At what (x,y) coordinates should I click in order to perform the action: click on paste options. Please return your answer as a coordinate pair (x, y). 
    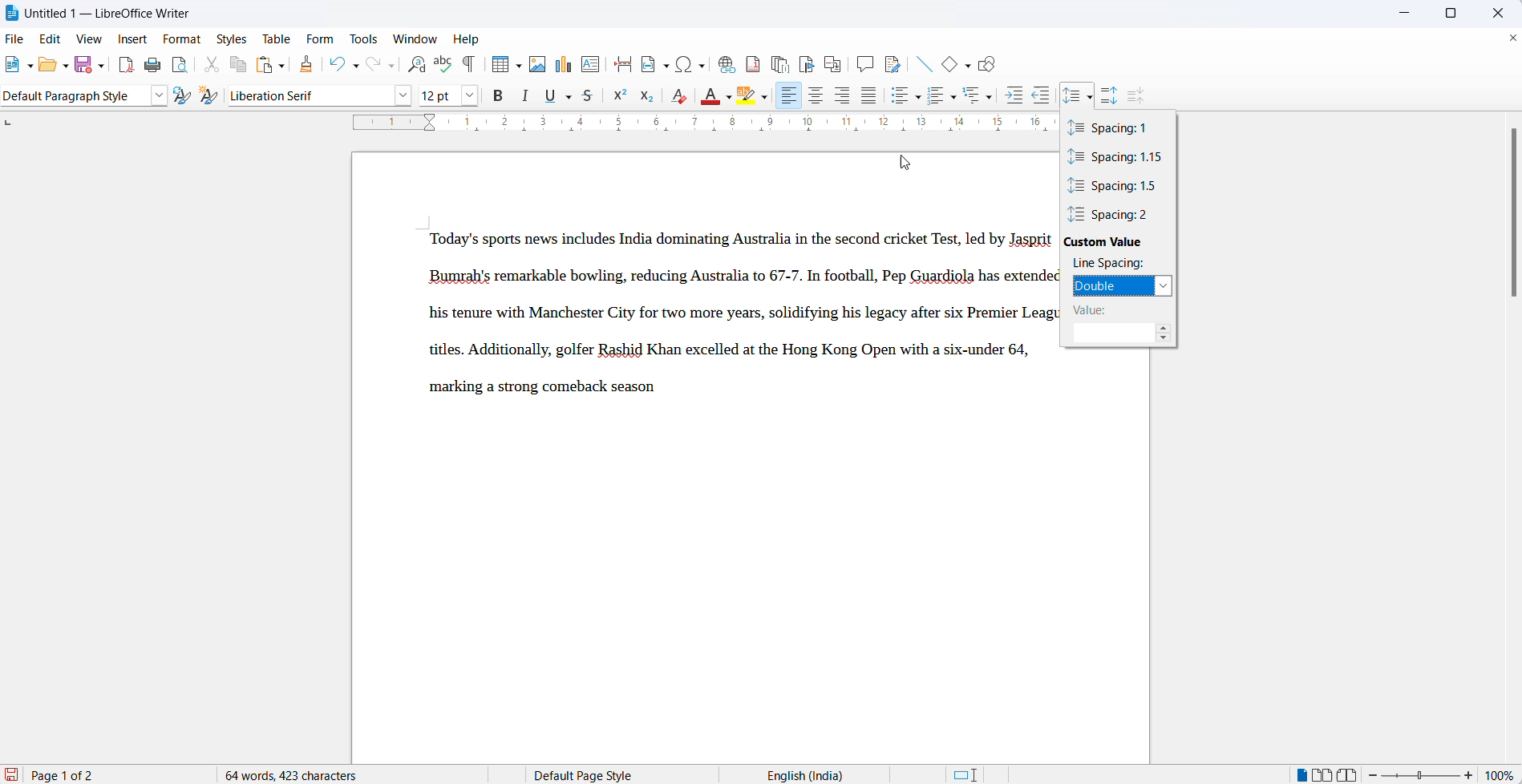
    Looking at the image, I should click on (286, 66).